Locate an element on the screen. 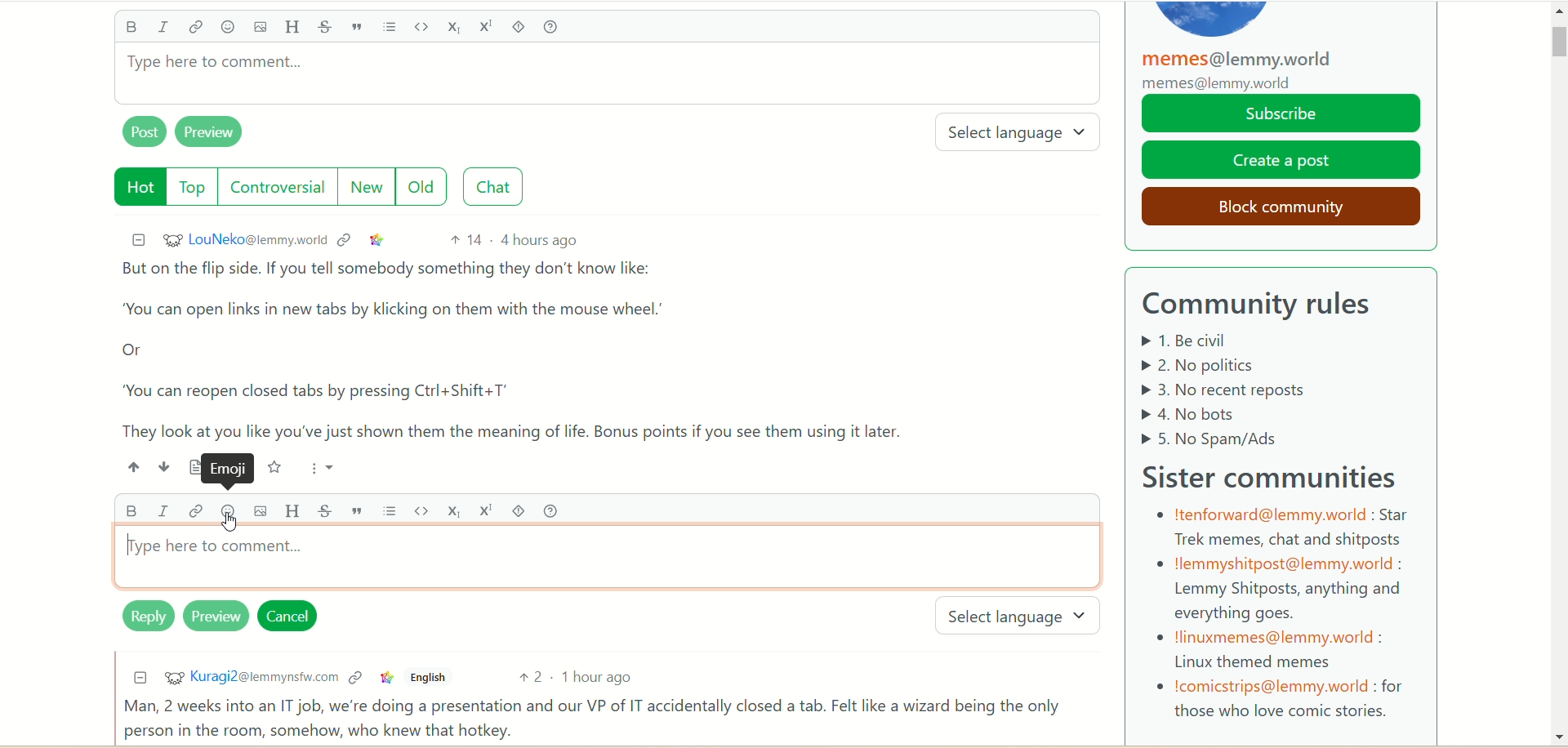  controversial is located at coordinates (282, 187).